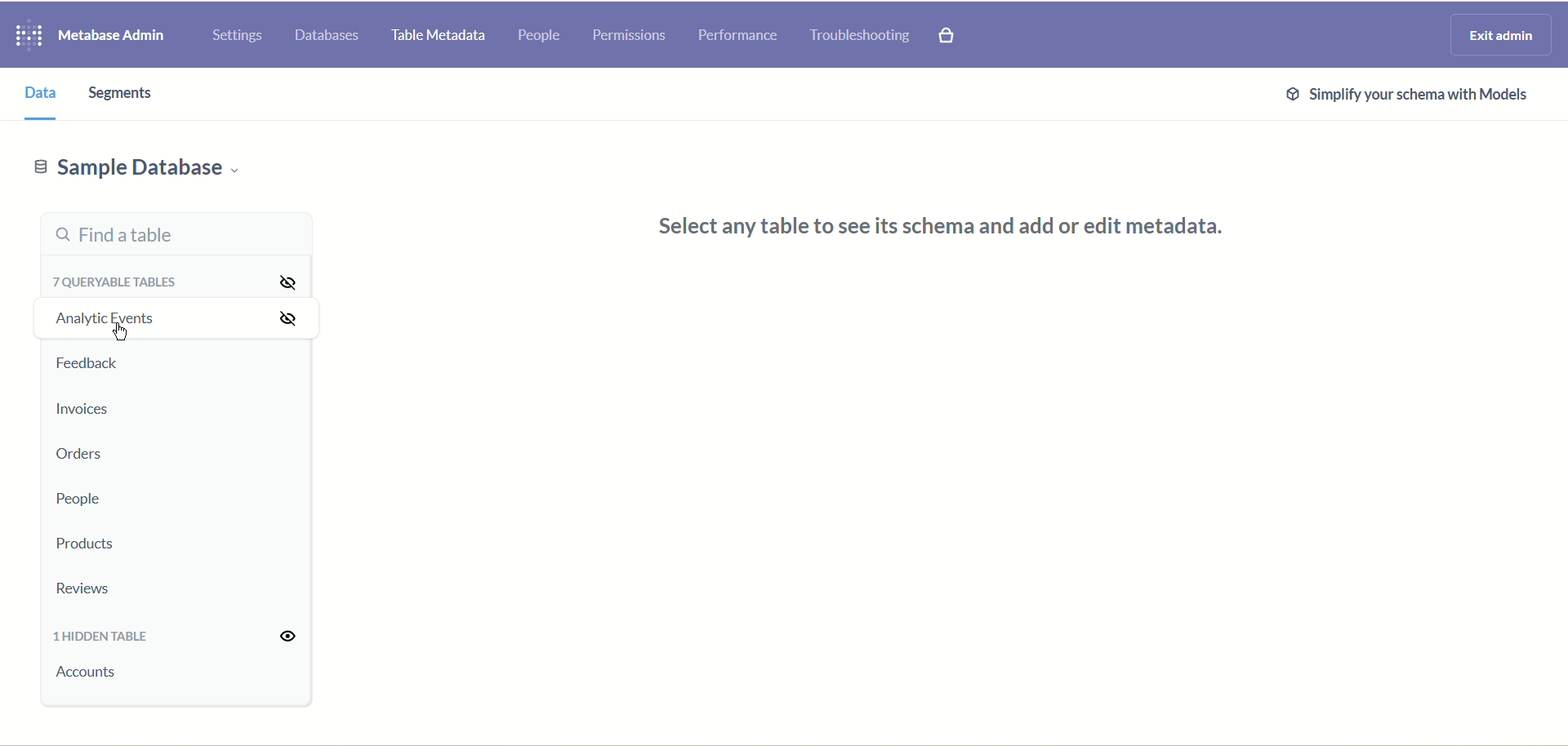  Describe the element at coordinates (76, 500) in the screenshot. I see `people` at that location.